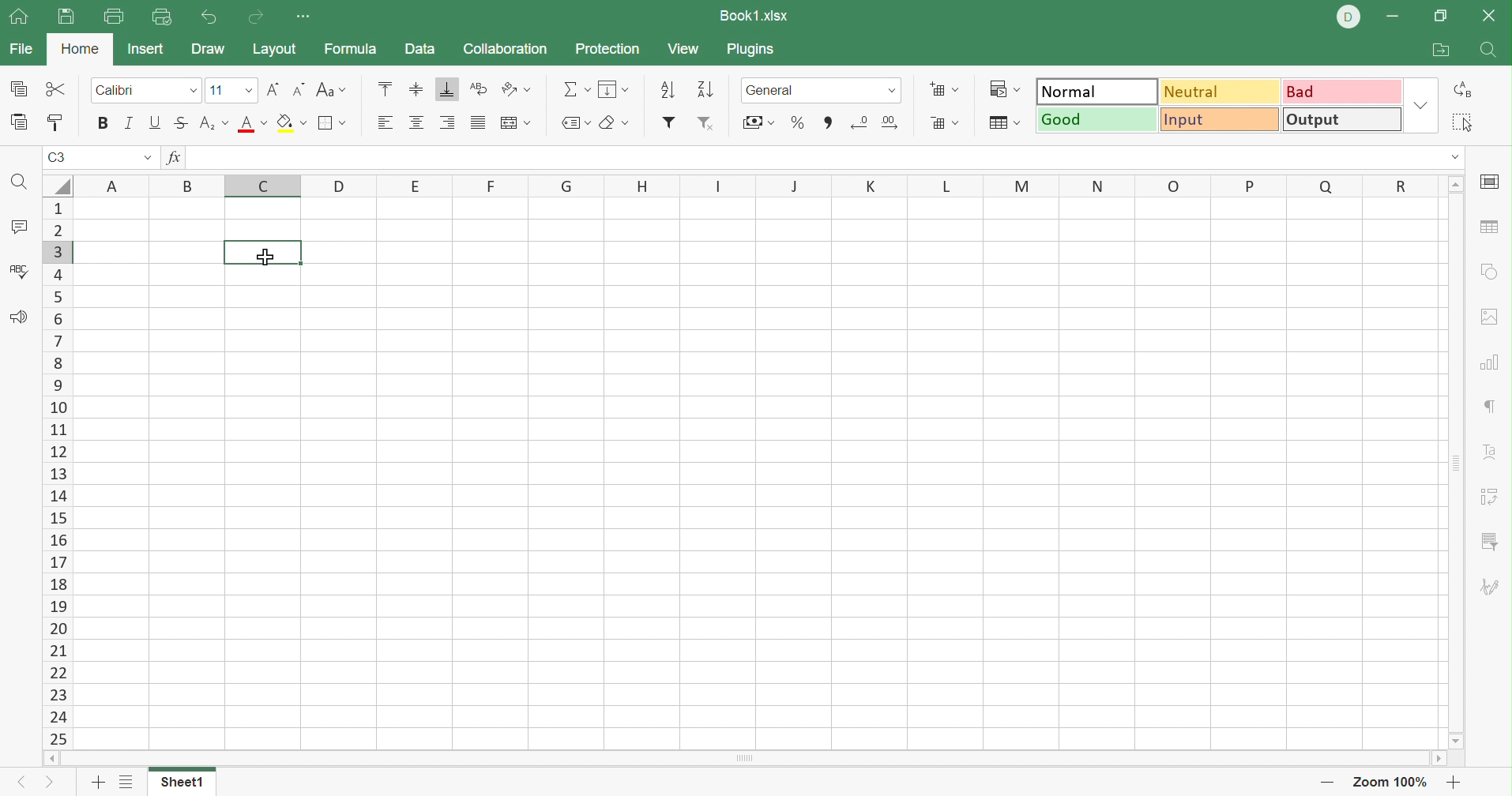 The width and height of the screenshot is (1512, 796). Describe the element at coordinates (800, 122) in the screenshot. I see `Percent style` at that location.